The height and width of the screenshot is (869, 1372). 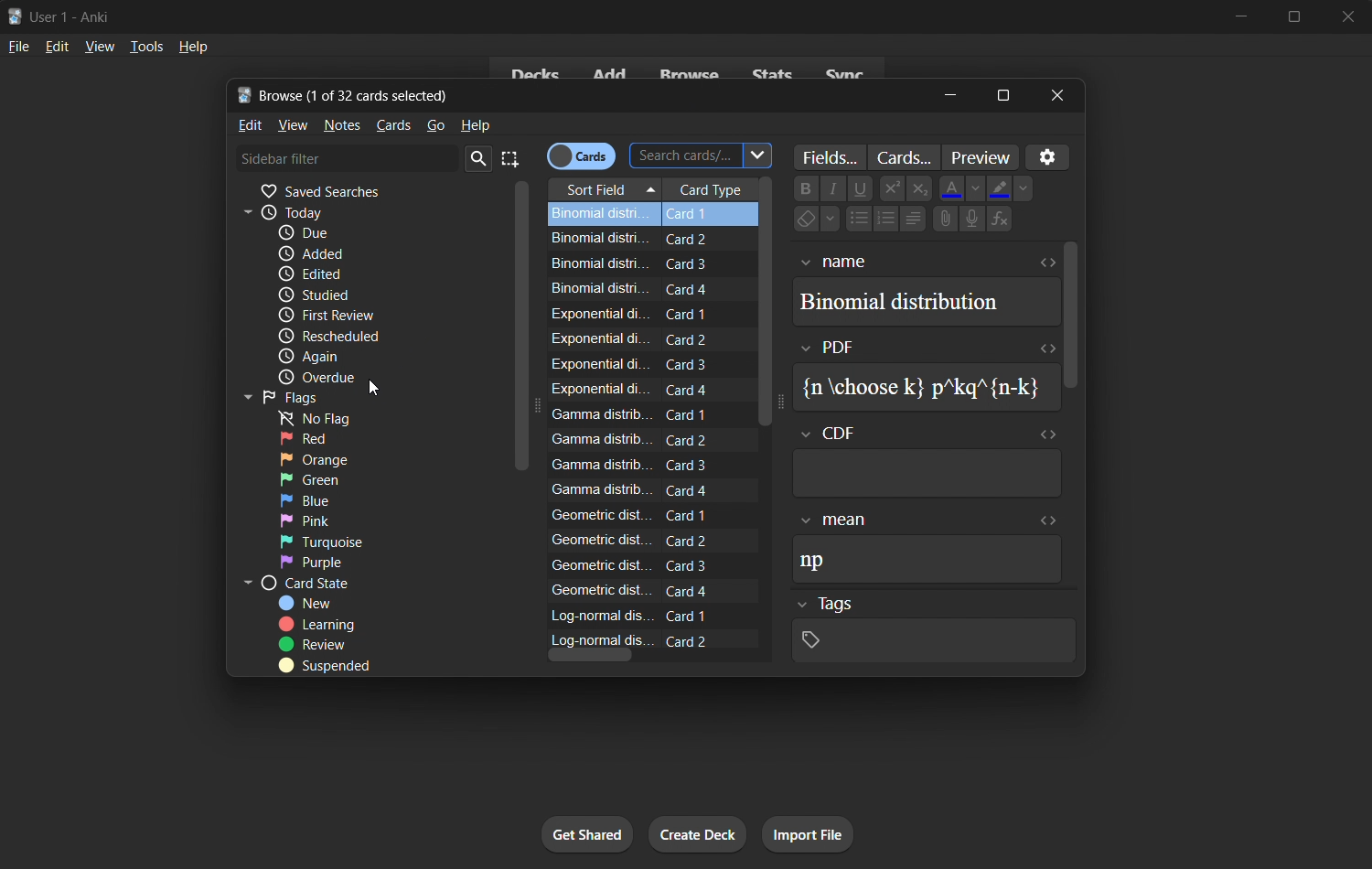 What do you see at coordinates (327, 666) in the screenshot?
I see `suspended` at bounding box center [327, 666].